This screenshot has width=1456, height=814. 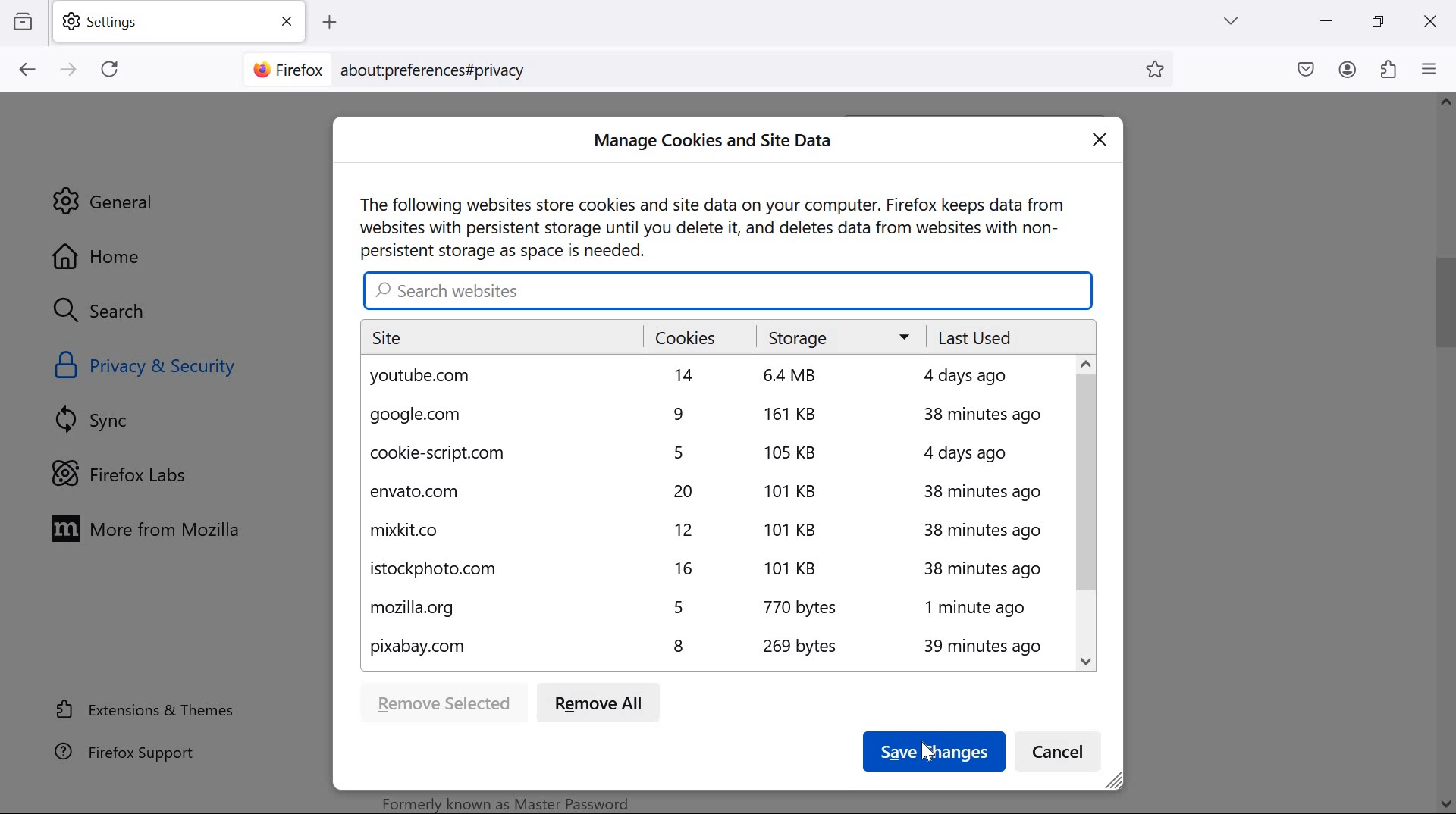 What do you see at coordinates (1231, 20) in the screenshot?
I see `list all tabs` at bounding box center [1231, 20].